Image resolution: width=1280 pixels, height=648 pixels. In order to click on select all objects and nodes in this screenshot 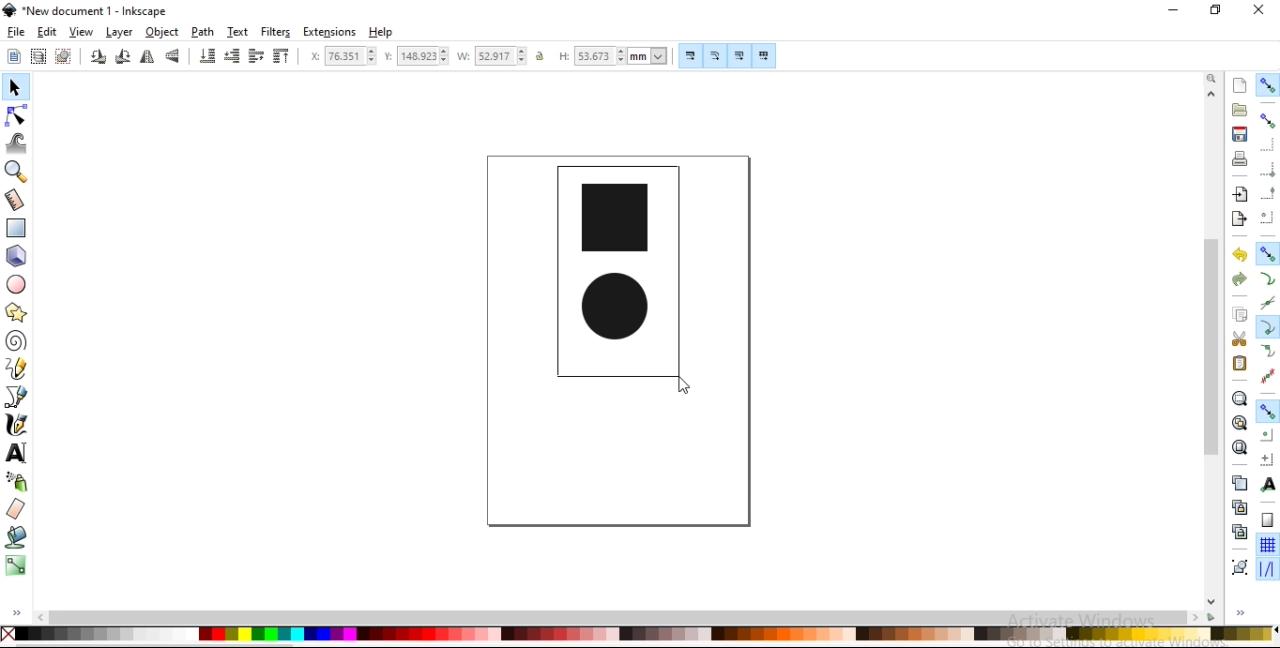, I will do `click(13, 57)`.